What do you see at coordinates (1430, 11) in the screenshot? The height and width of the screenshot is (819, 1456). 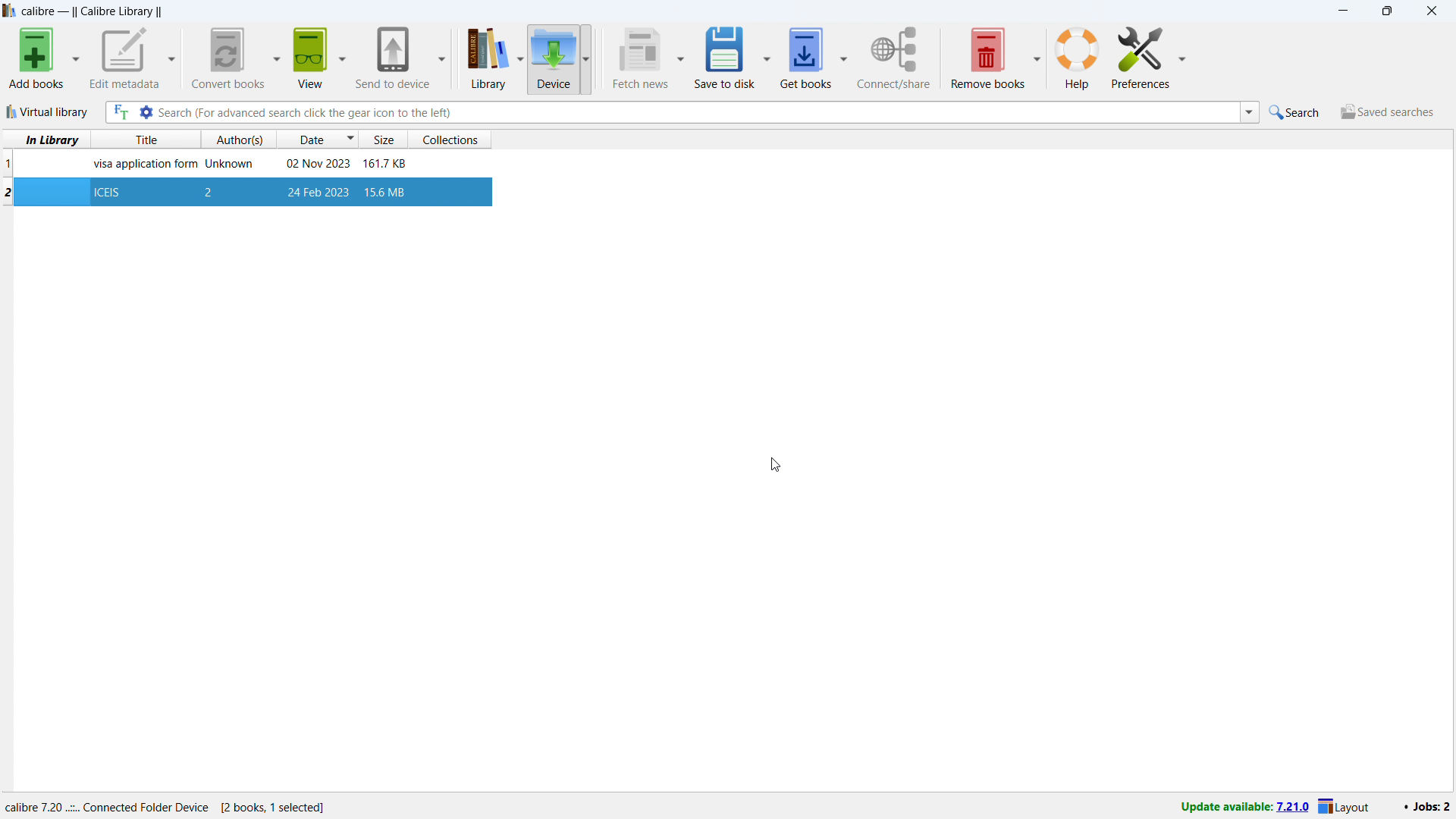 I see `close` at bounding box center [1430, 11].